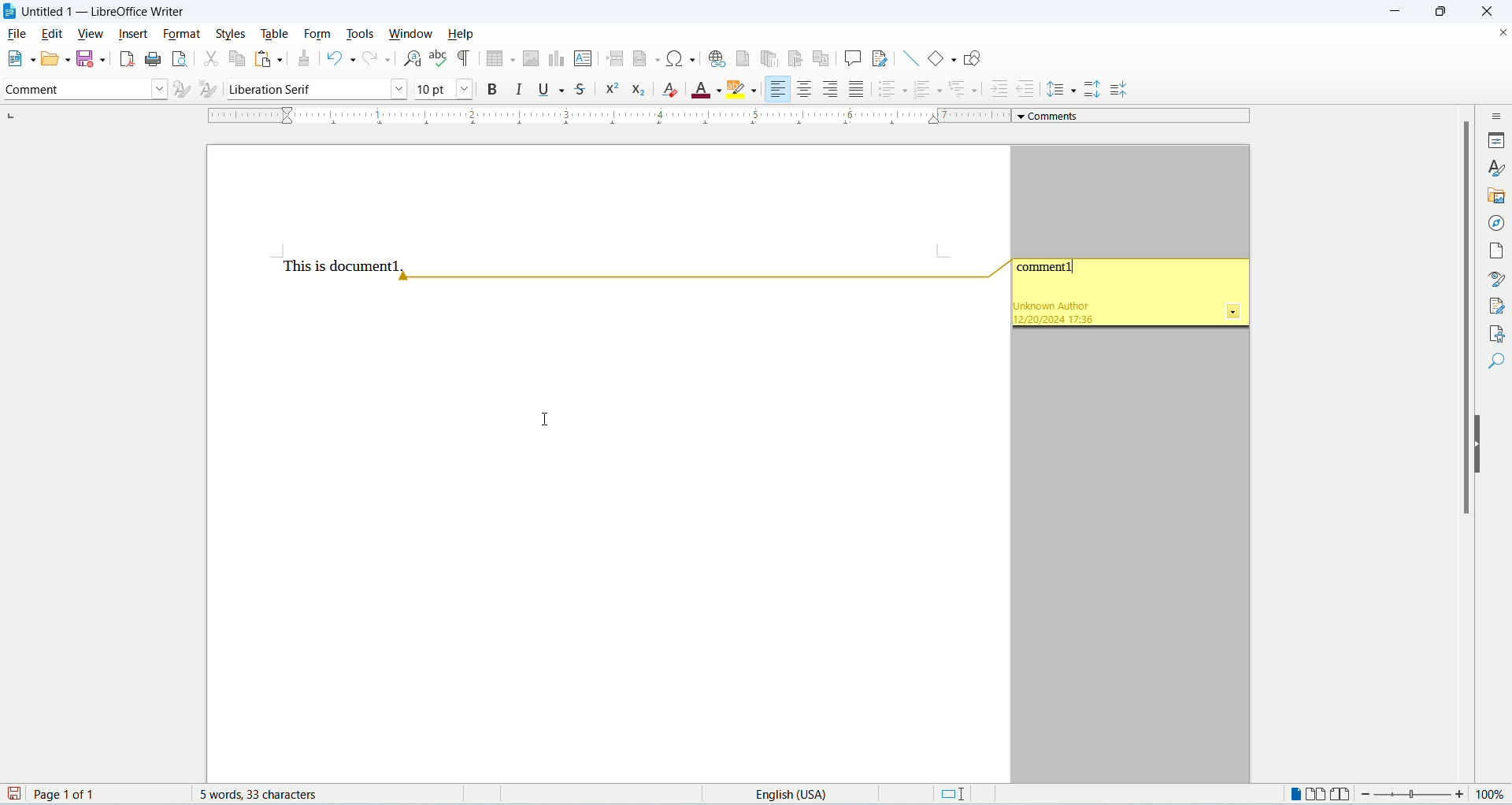 Image resolution: width=1512 pixels, height=805 pixels. What do you see at coordinates (132, 34) in the screenshot?
I see `insert` at bounding box center [132, 34].